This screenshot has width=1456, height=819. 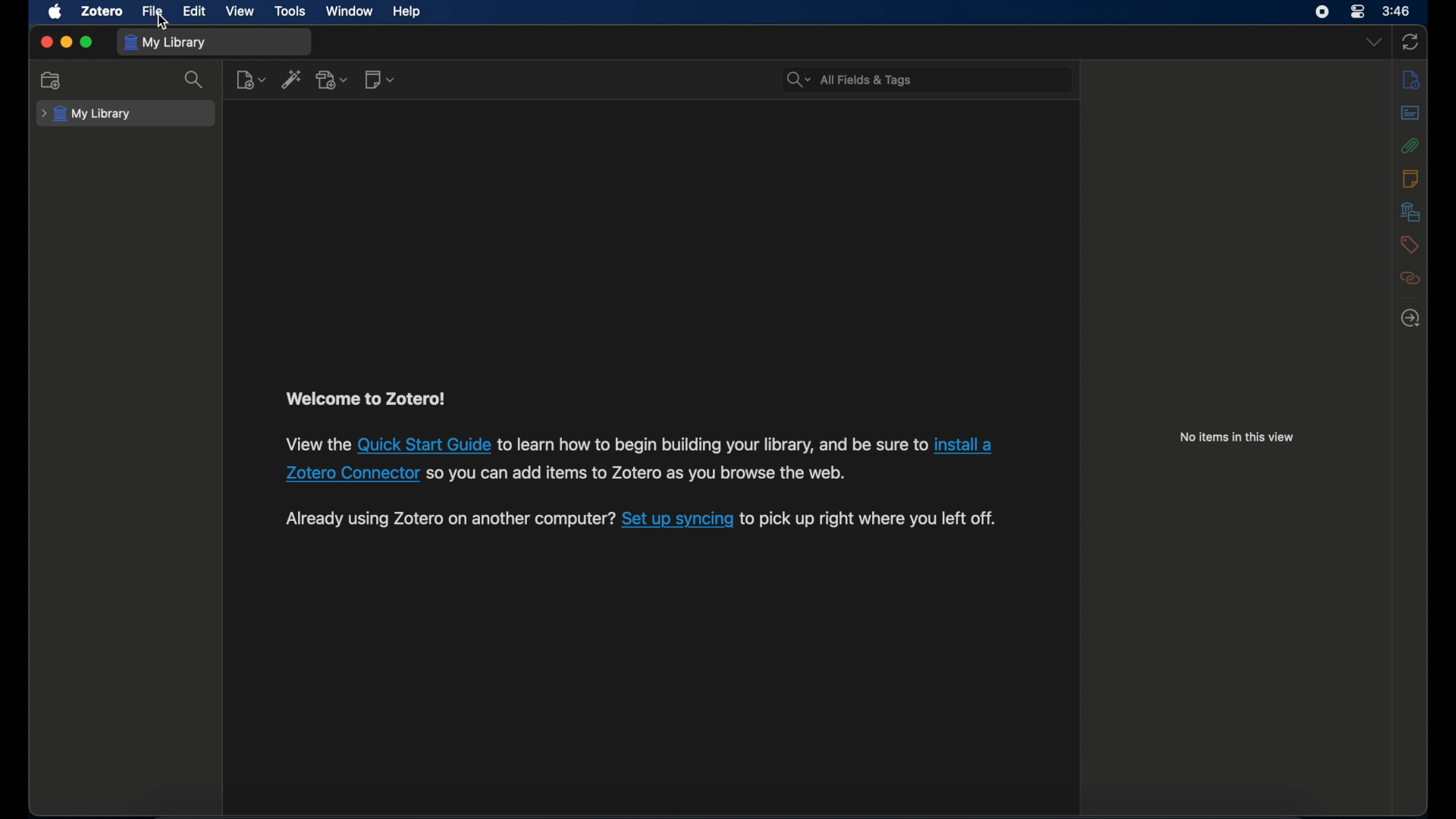 I want to click on my library, so click(x=88, y=114).